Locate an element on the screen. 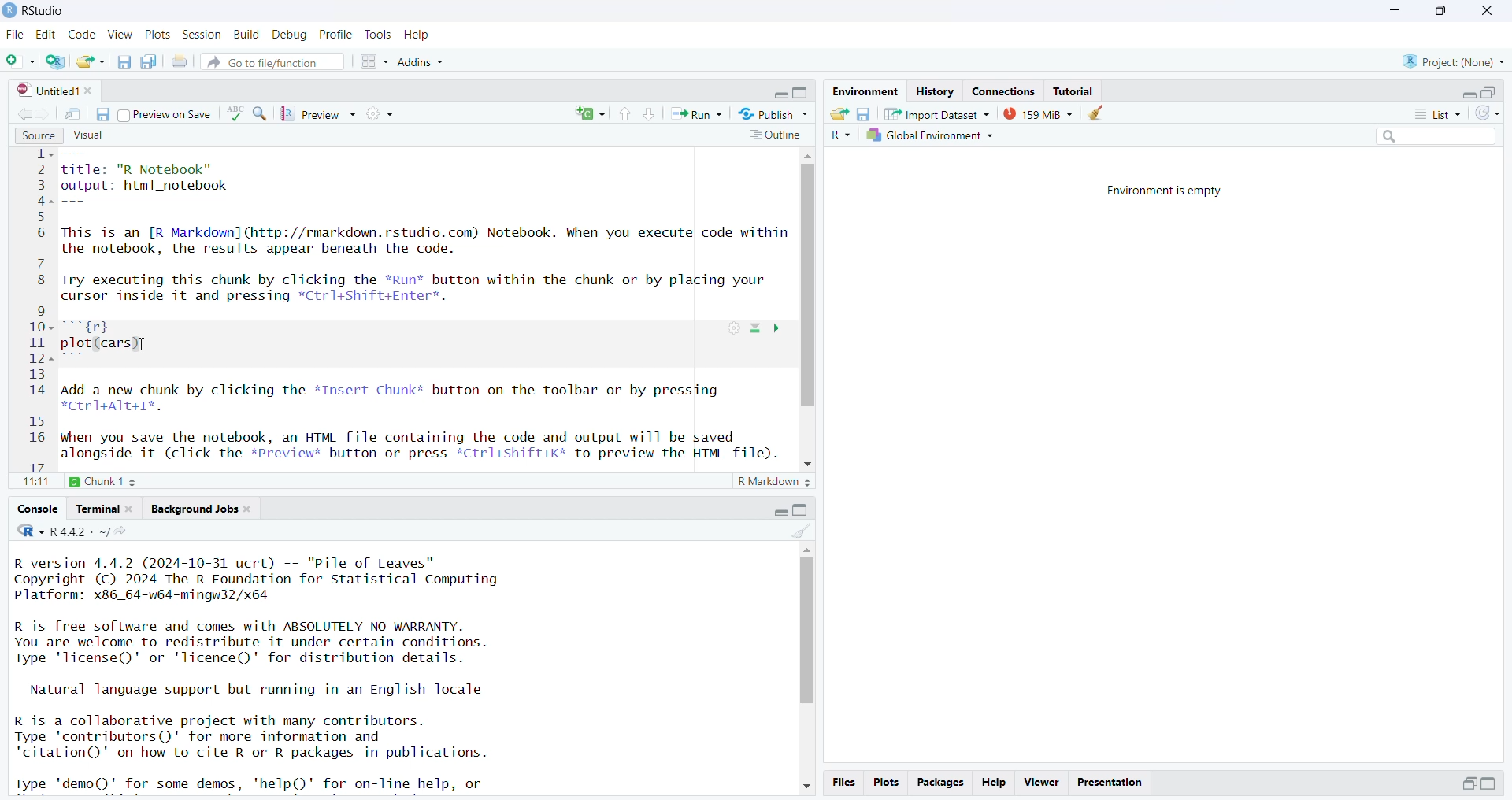 The image size is (1512, 800). 159 MB is located at coordinates (1037, 113).